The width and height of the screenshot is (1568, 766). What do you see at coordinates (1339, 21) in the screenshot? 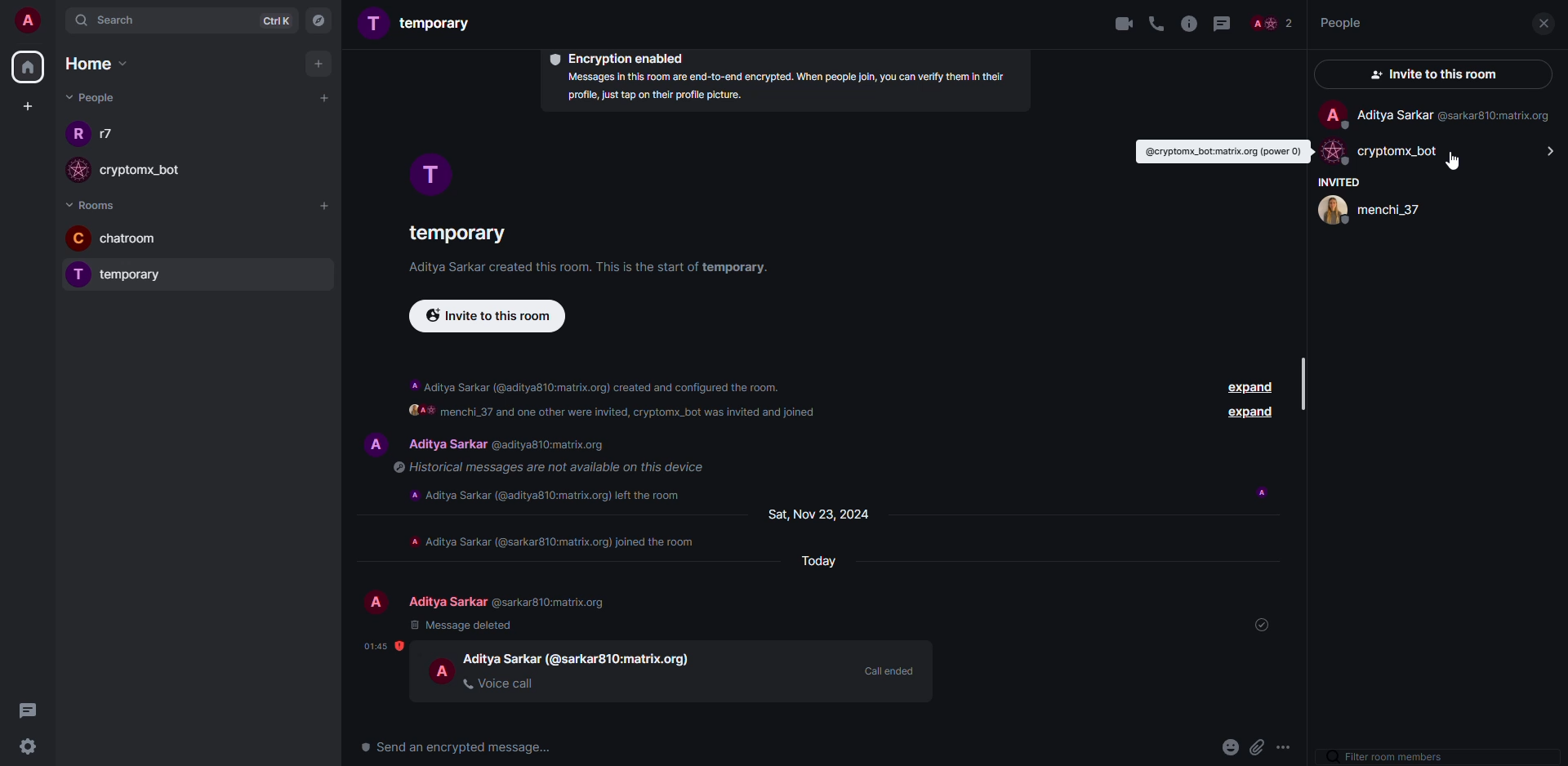
I see `people` at bounding box center [1339, 21].